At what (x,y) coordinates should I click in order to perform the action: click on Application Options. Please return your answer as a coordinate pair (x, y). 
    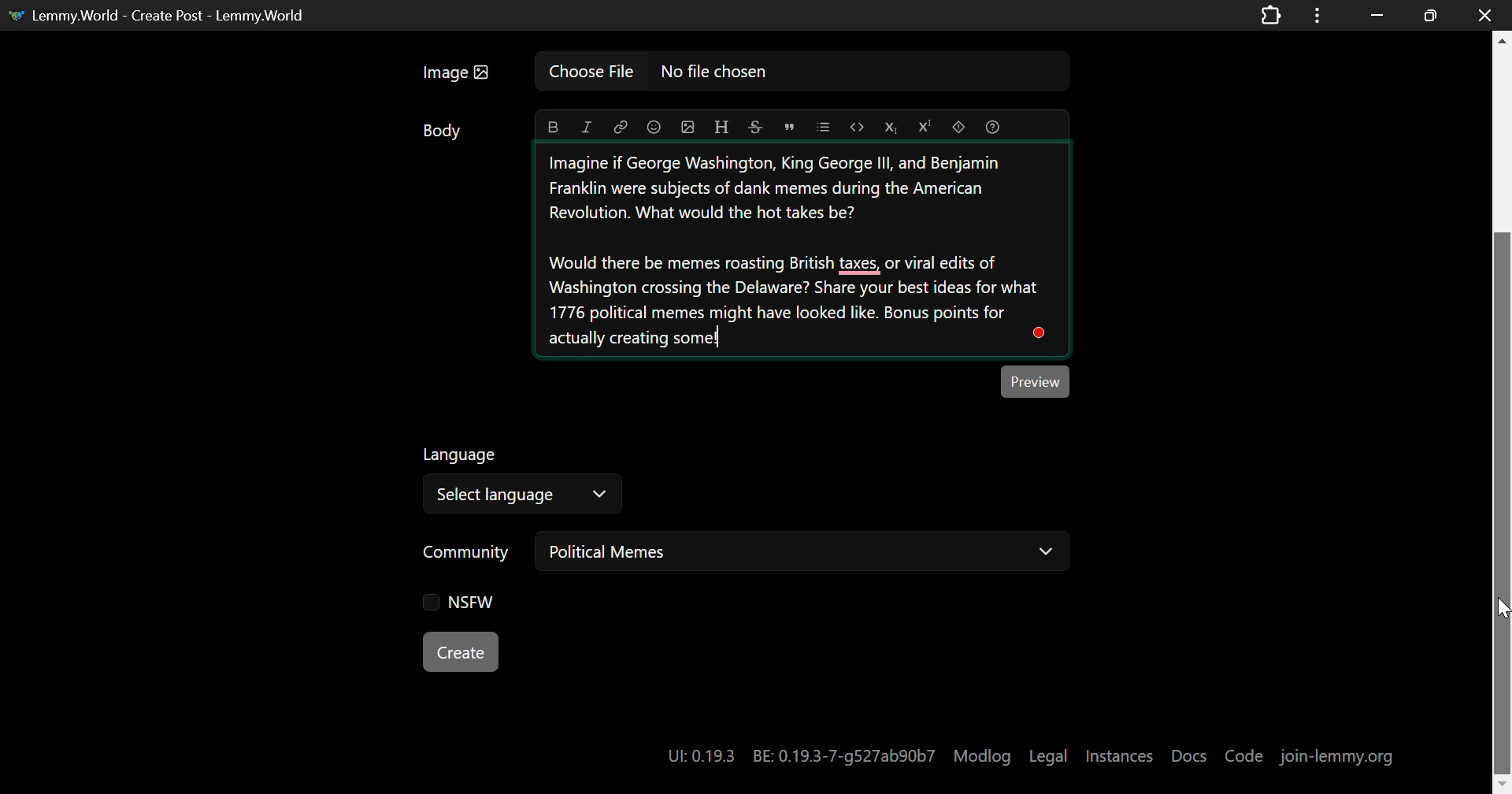
    Looking at the image, I should click on (1317, 14).